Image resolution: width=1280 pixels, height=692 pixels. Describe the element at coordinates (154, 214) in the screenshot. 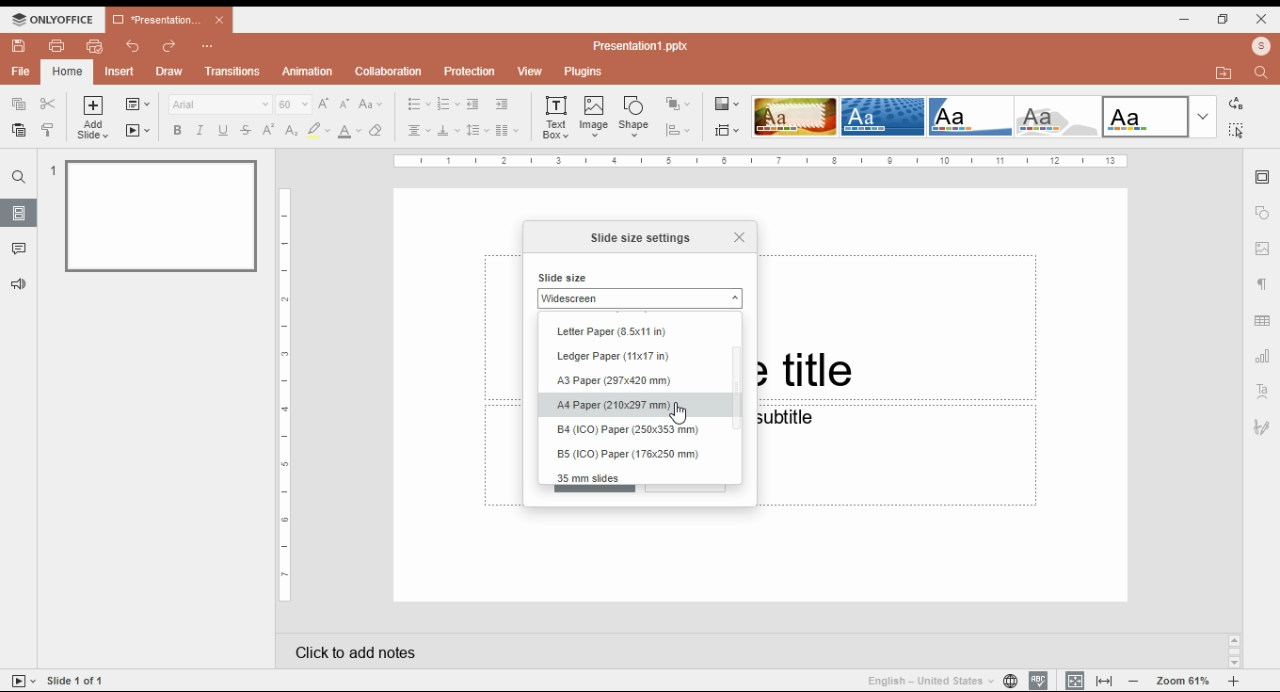

I see `slide 1` at that location.